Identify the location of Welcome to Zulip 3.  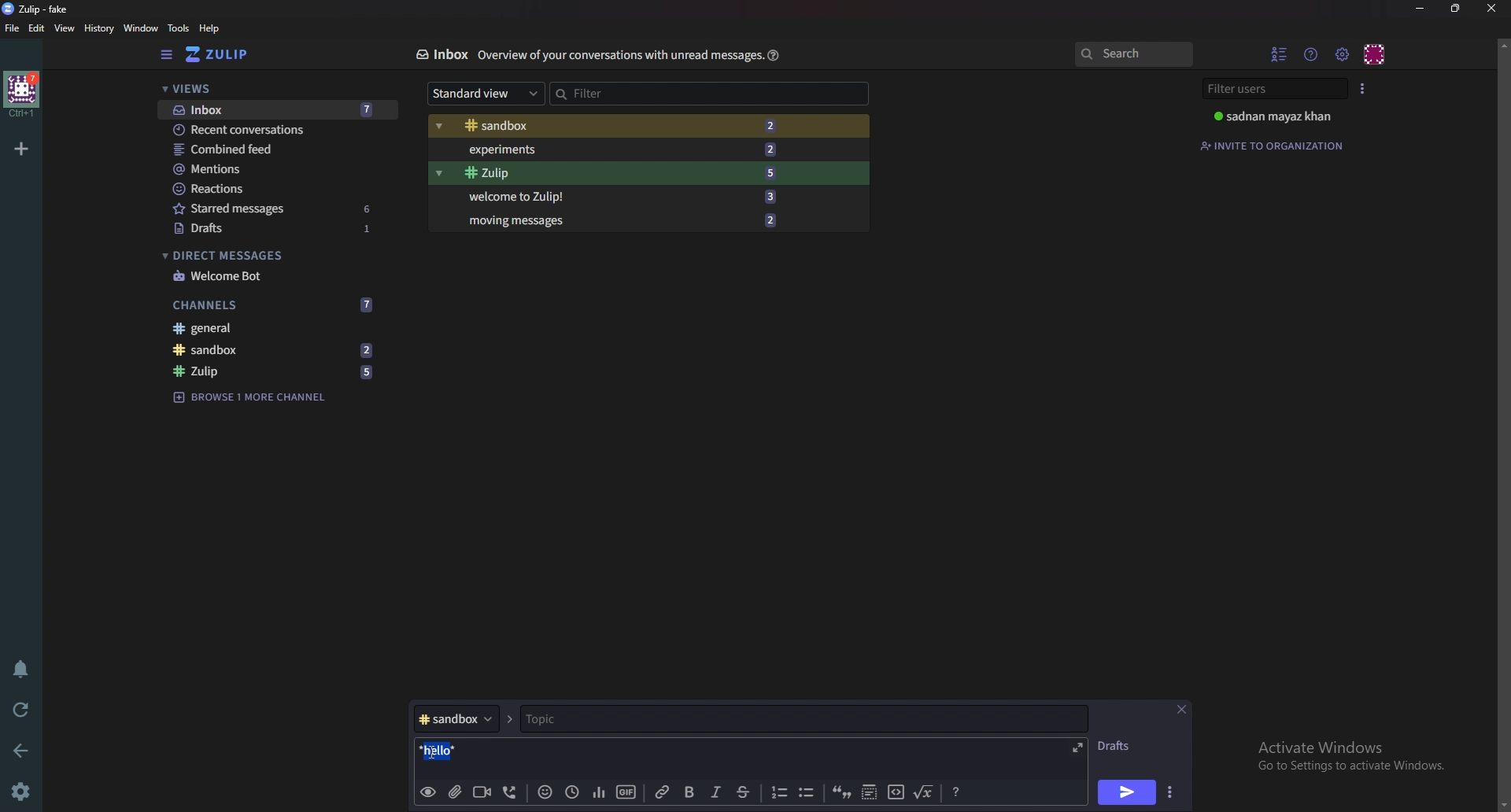
(616, 197).